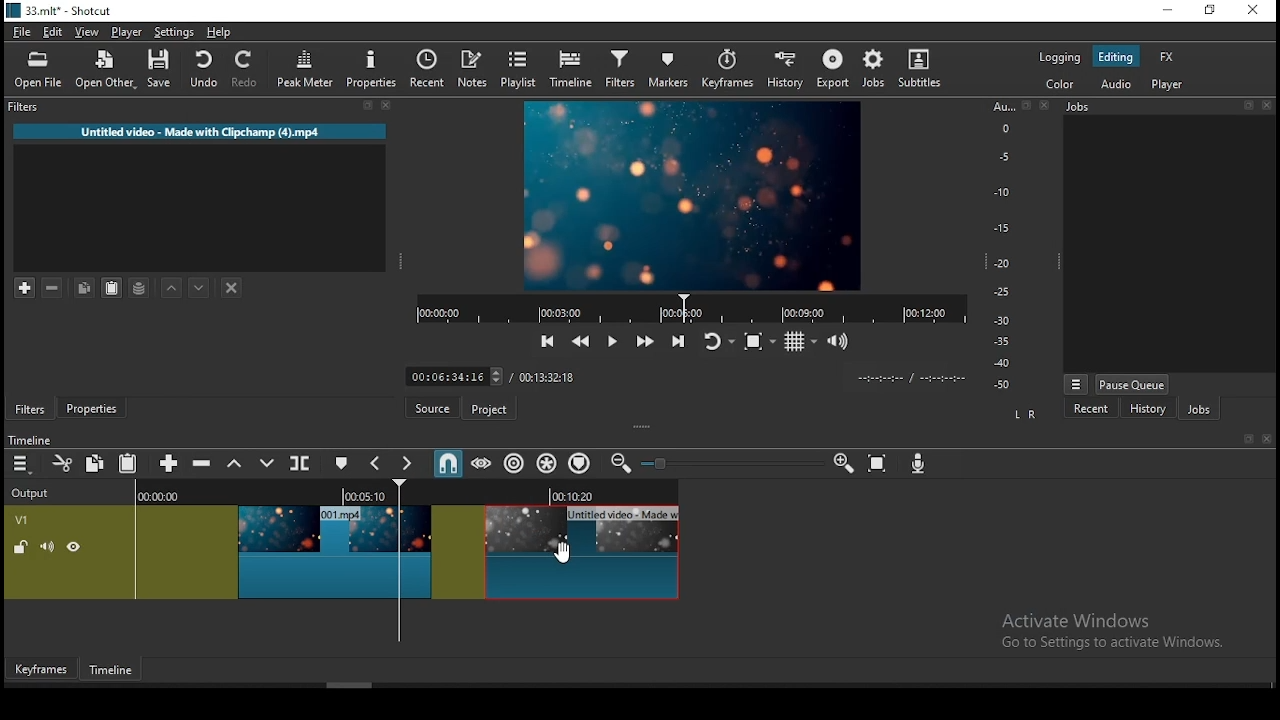  I want to click on Project, so click(492, 409).